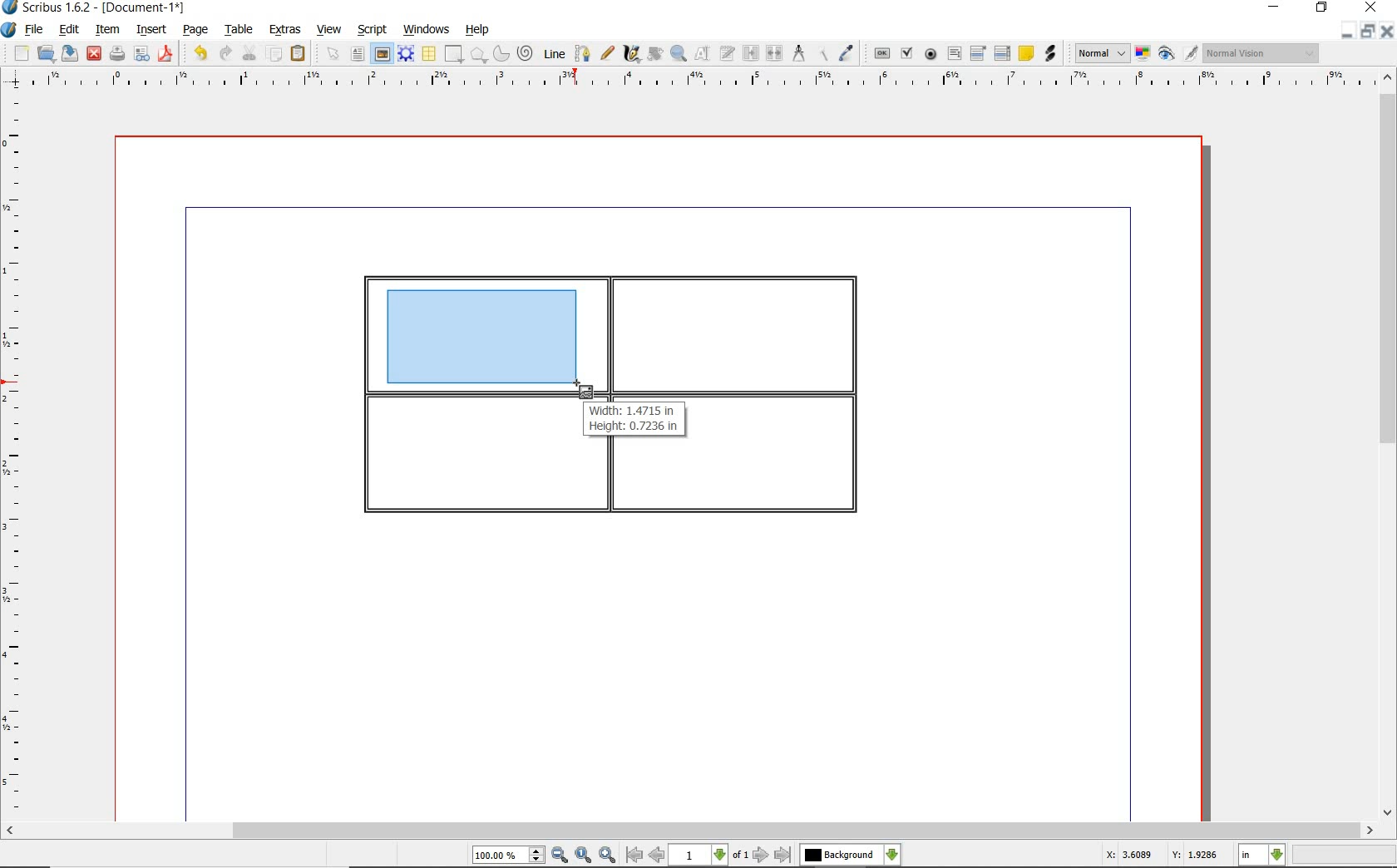 This screenshot has width=1397, height=868. Describe the element at coordinates (141, 55) in the screenshot. I see `preflight verifier` at that location.